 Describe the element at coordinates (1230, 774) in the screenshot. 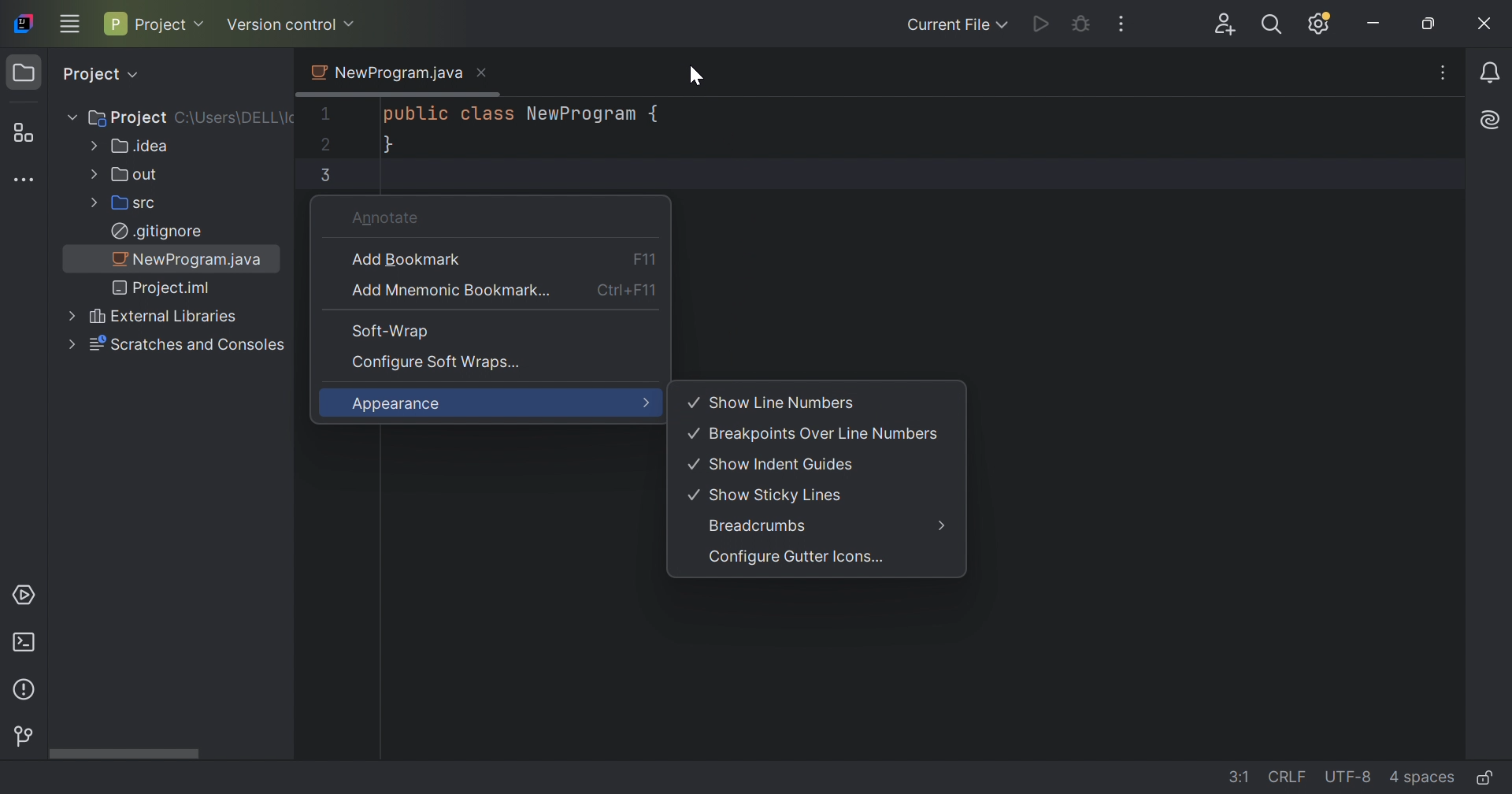

I see `3:2` at that location.